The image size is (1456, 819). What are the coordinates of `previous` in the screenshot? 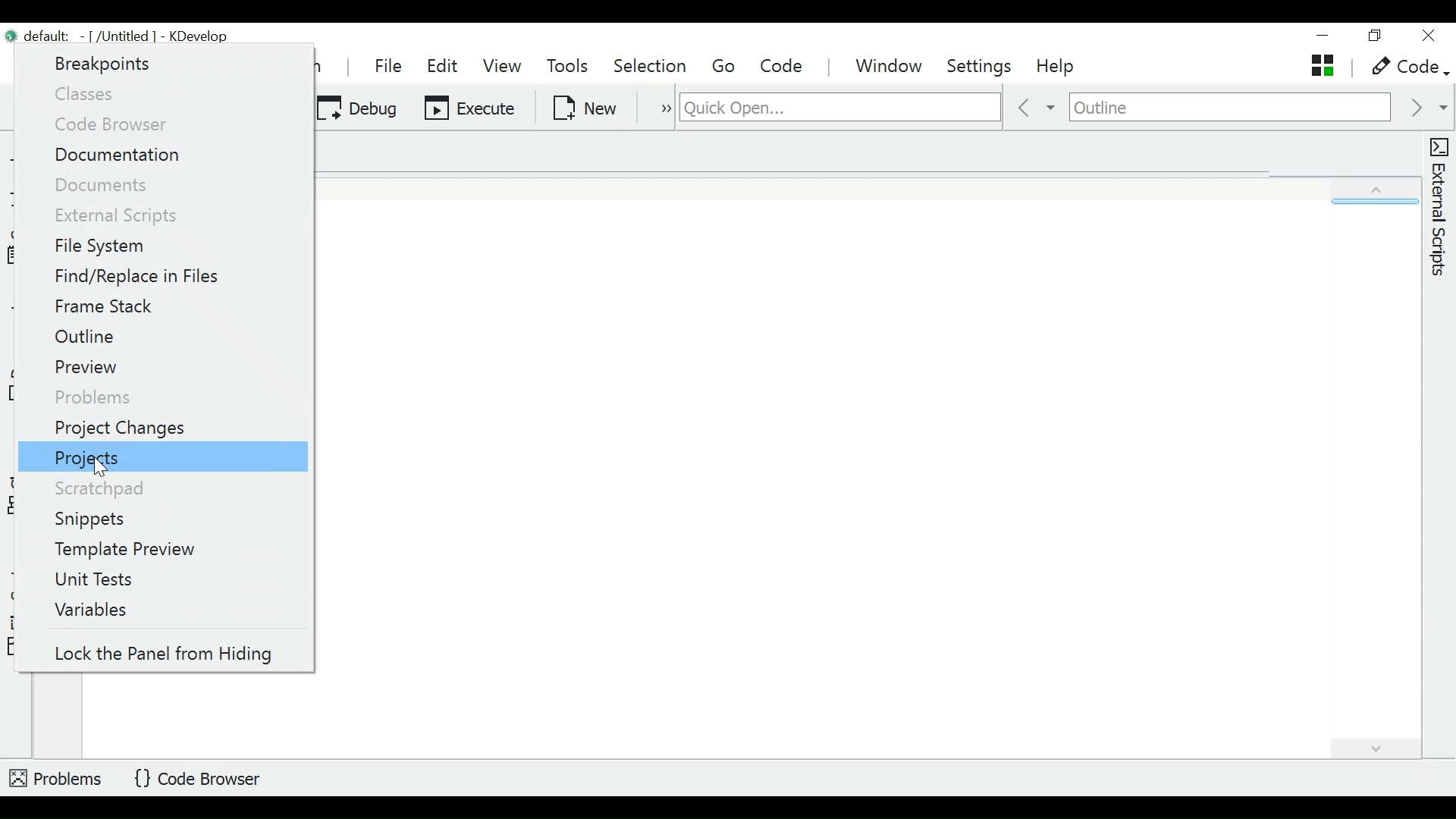 It's located at (1034, 107).